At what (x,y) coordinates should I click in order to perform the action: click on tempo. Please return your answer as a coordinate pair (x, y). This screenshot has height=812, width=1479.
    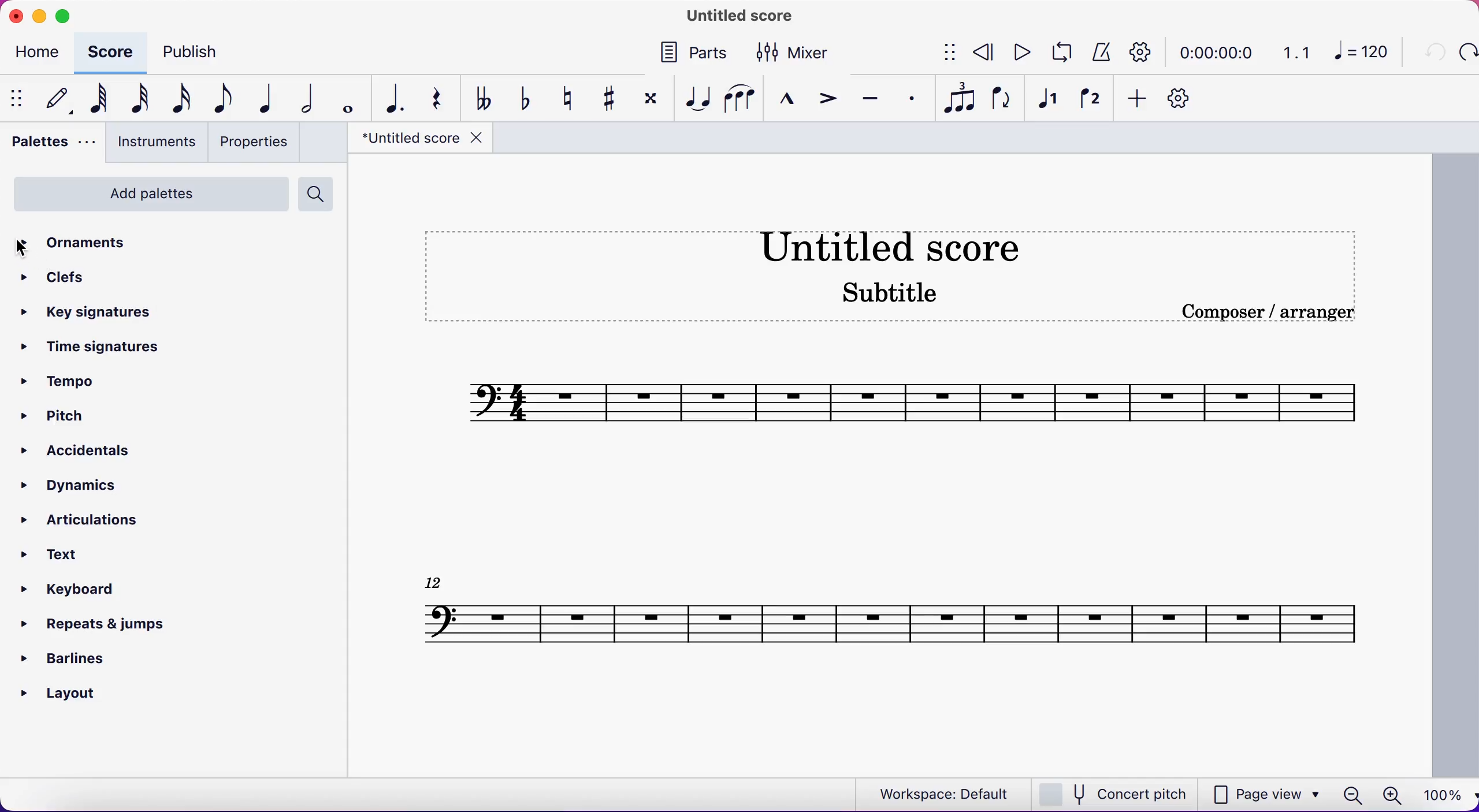
    Looking at the image, I should click on (68, 382).